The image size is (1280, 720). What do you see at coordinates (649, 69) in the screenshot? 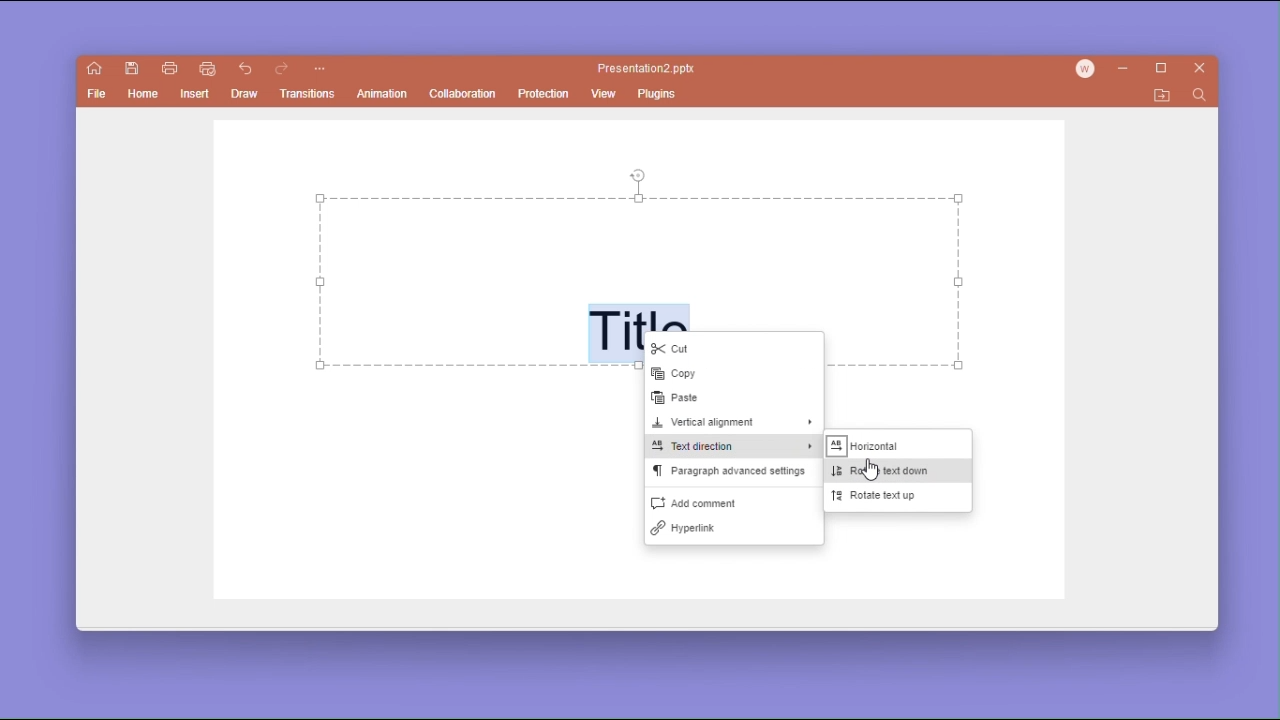
I see `Presentation2 pptx.` at bounding box center [649, 69].